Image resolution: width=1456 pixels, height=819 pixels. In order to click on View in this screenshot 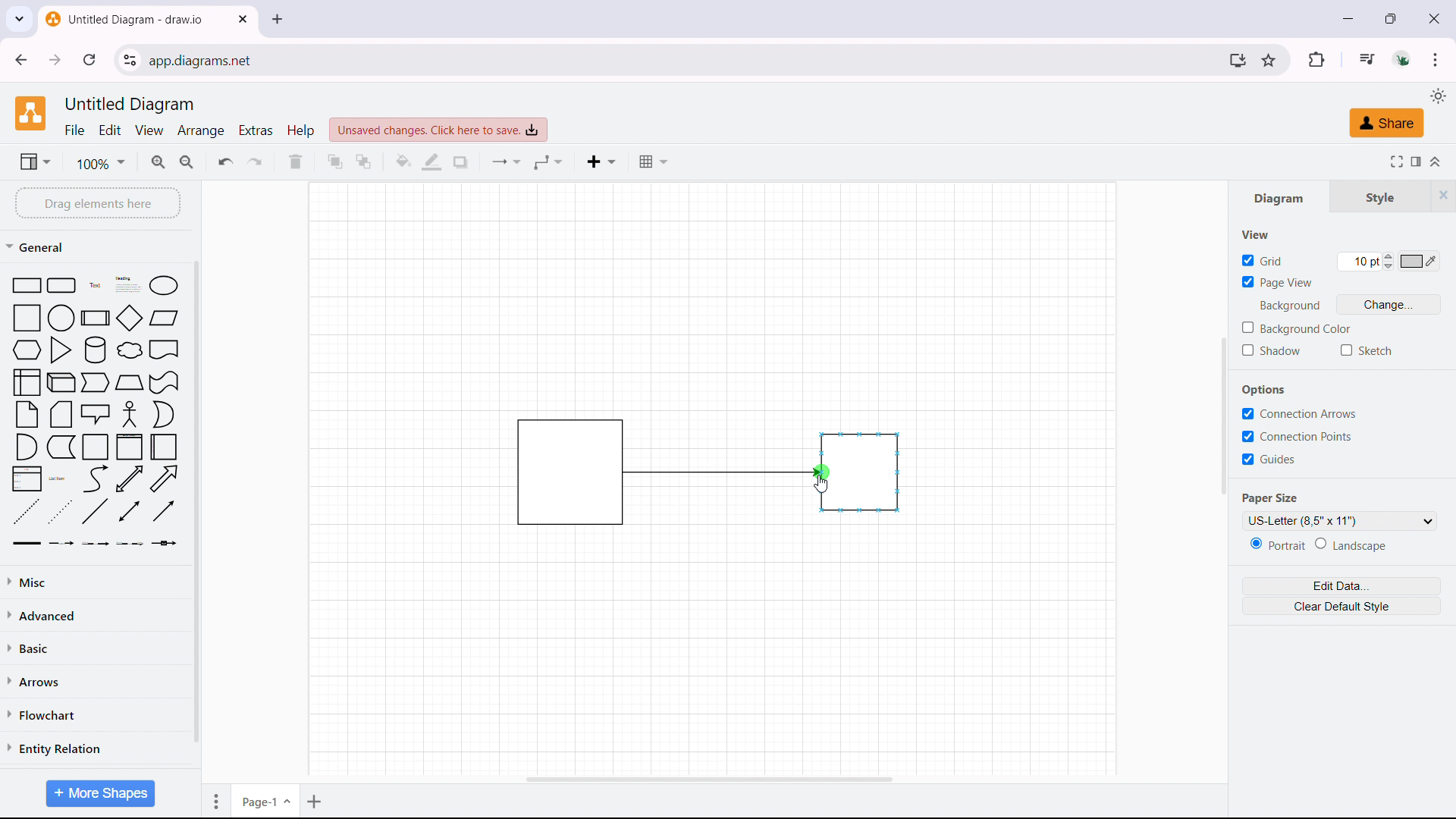, I will do `click(1249, 234)`.